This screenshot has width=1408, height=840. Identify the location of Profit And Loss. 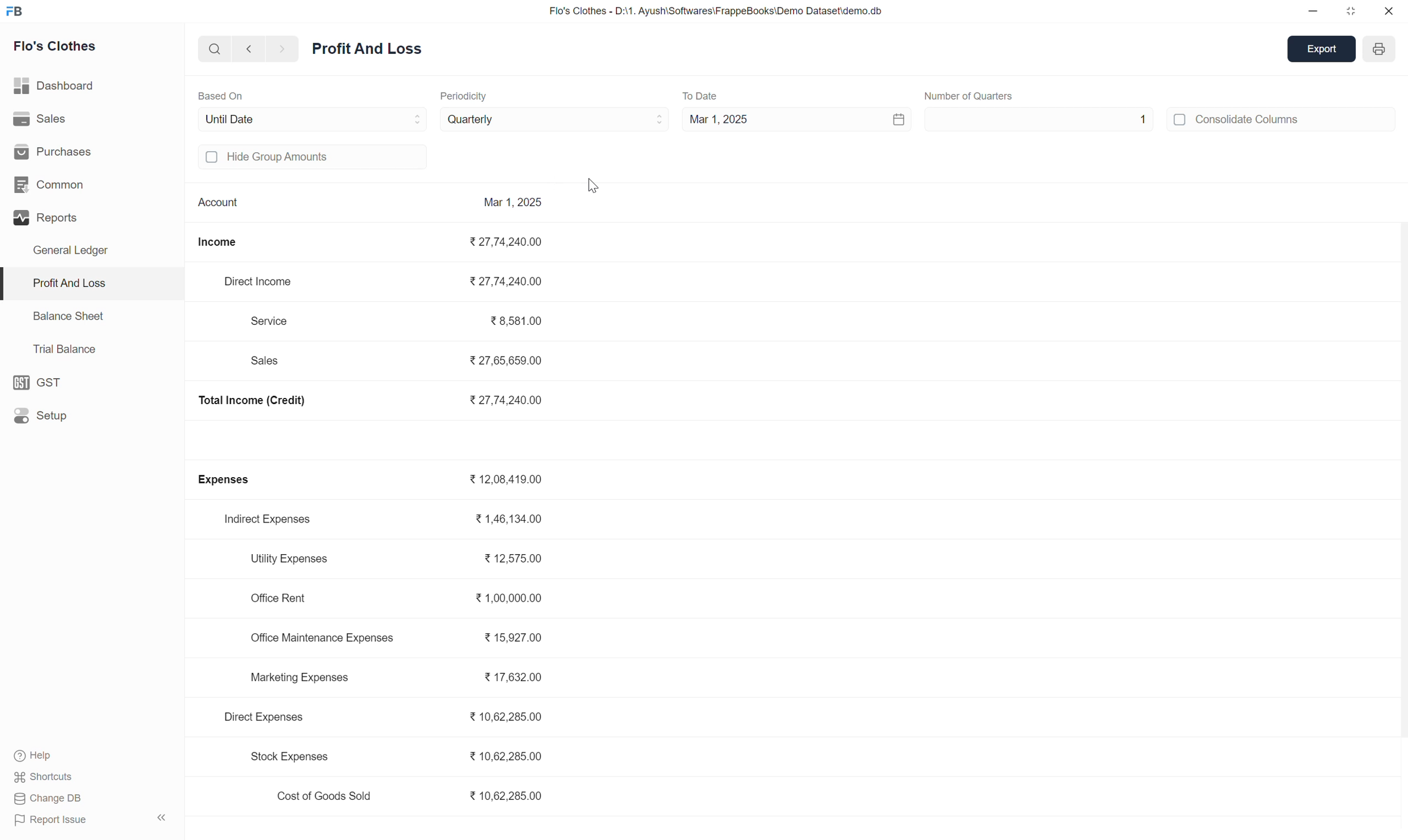
(64, 284).